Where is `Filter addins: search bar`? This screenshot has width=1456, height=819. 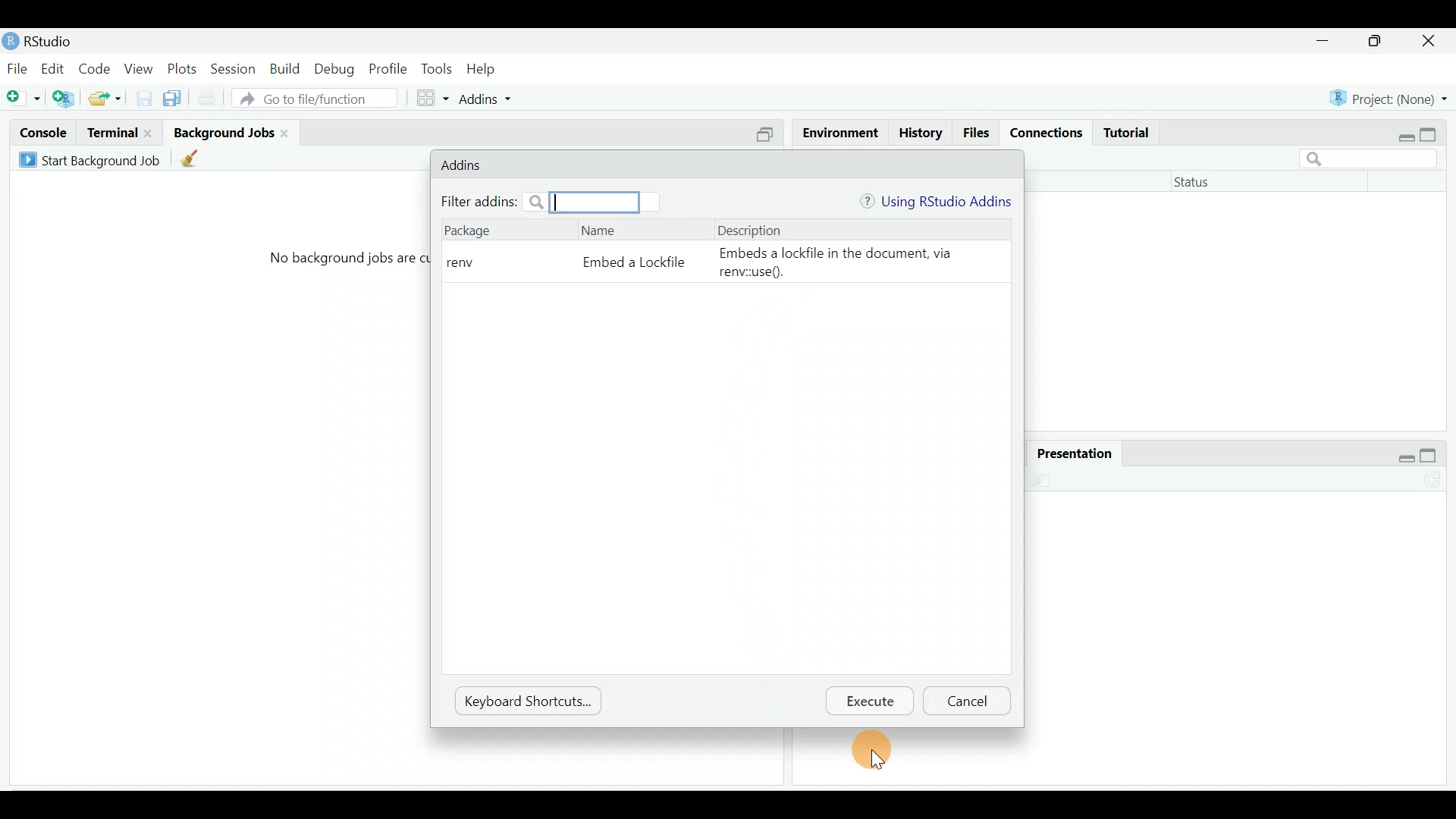 Filter addins: search bar is located at coordinates (538, 202).